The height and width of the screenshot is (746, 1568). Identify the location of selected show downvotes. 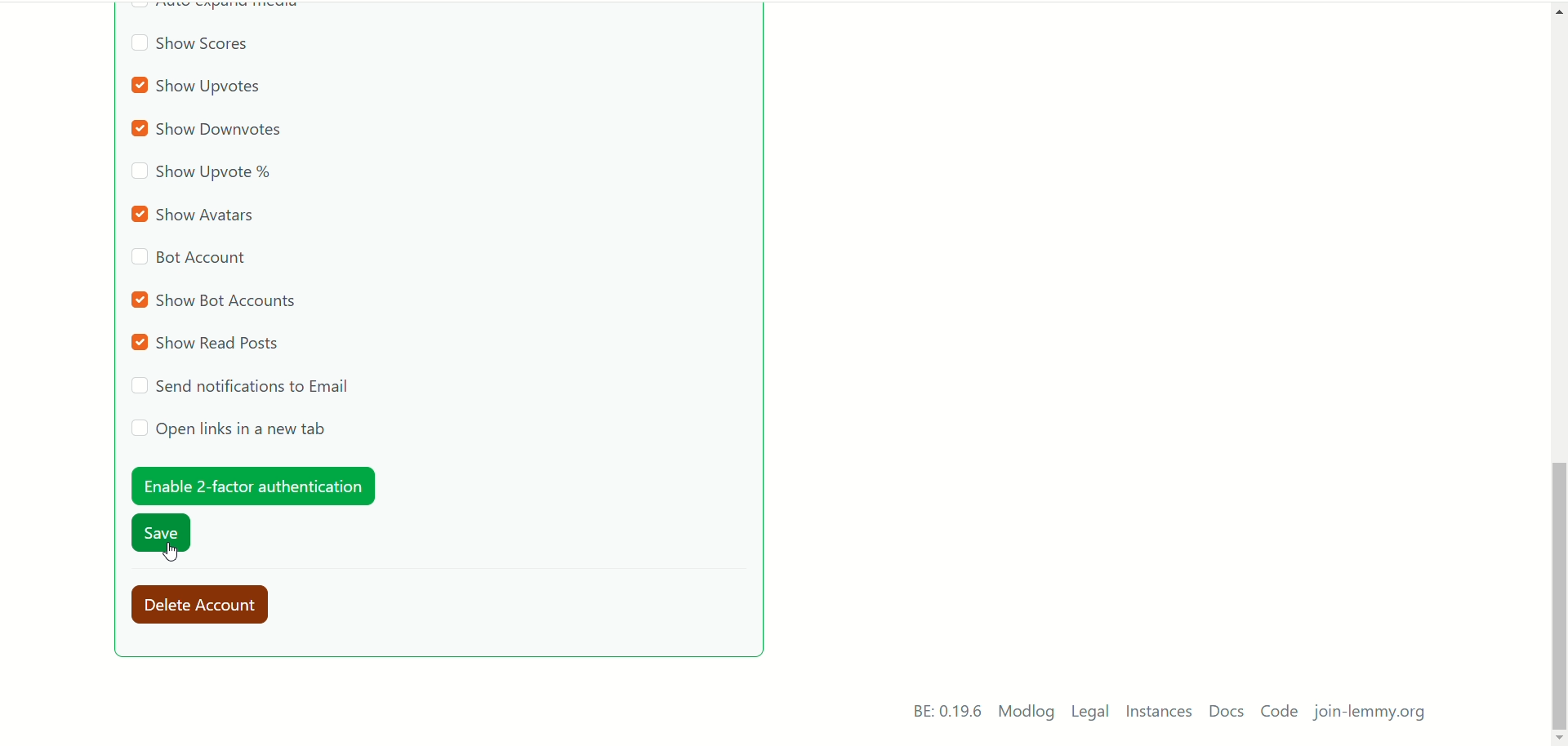
(212, 131).